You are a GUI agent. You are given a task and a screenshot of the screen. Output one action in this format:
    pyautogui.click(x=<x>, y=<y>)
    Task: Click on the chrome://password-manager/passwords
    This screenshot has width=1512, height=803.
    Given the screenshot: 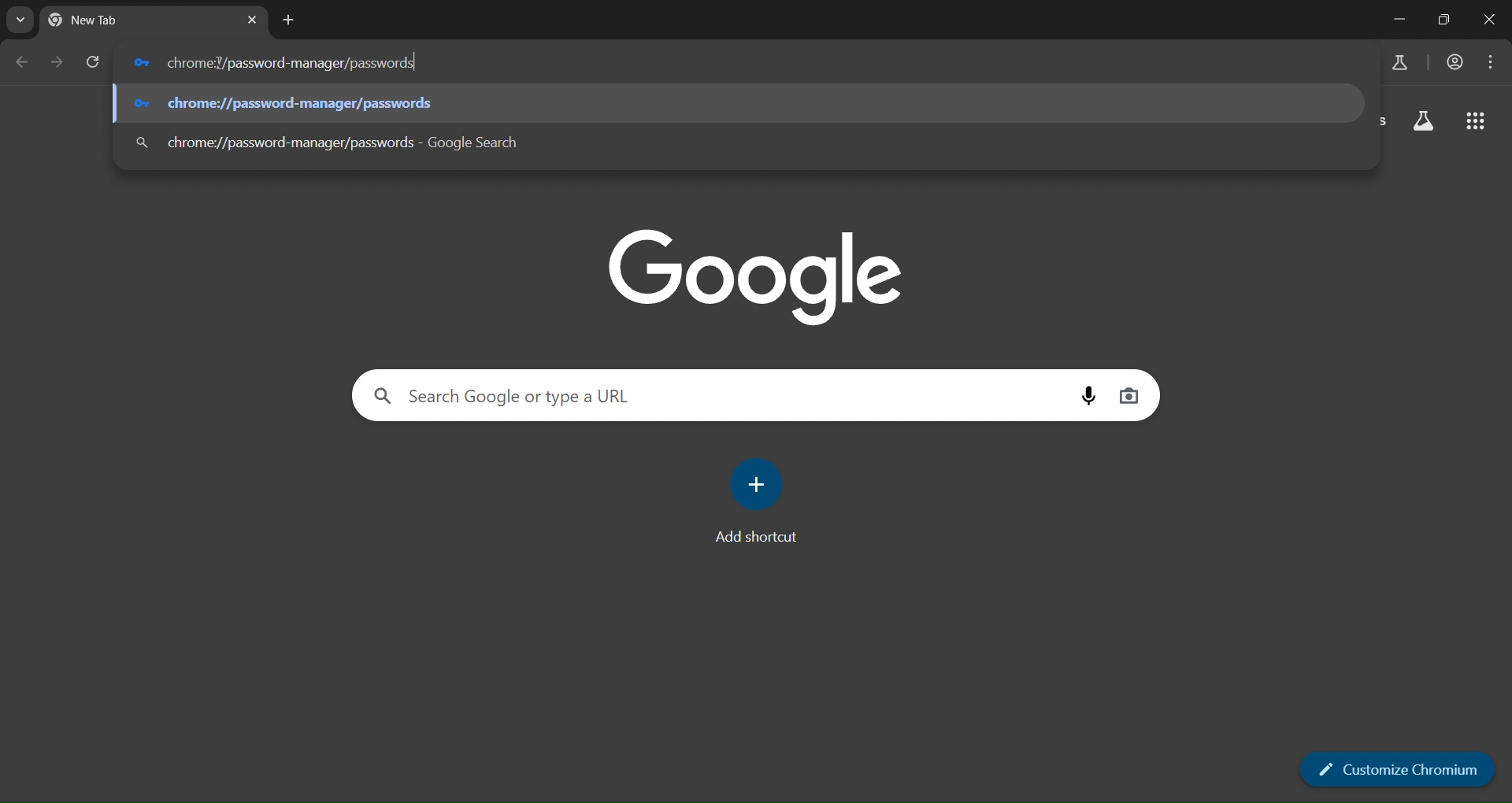 What is the action you would take?
    pyautogui.click(x=369, y=142)
    